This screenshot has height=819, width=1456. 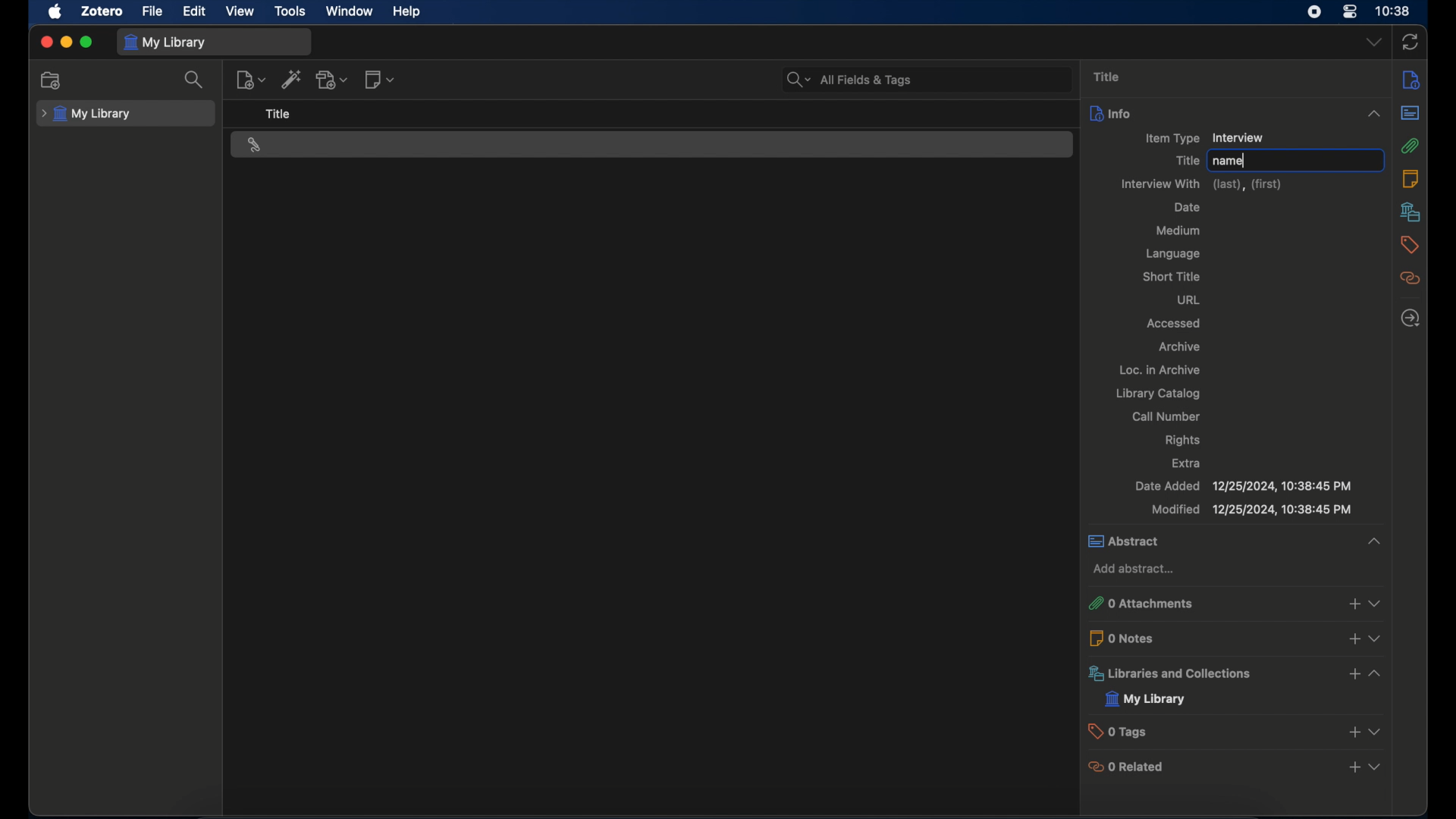 I want to click on interview, so click(x=1239, y=137).